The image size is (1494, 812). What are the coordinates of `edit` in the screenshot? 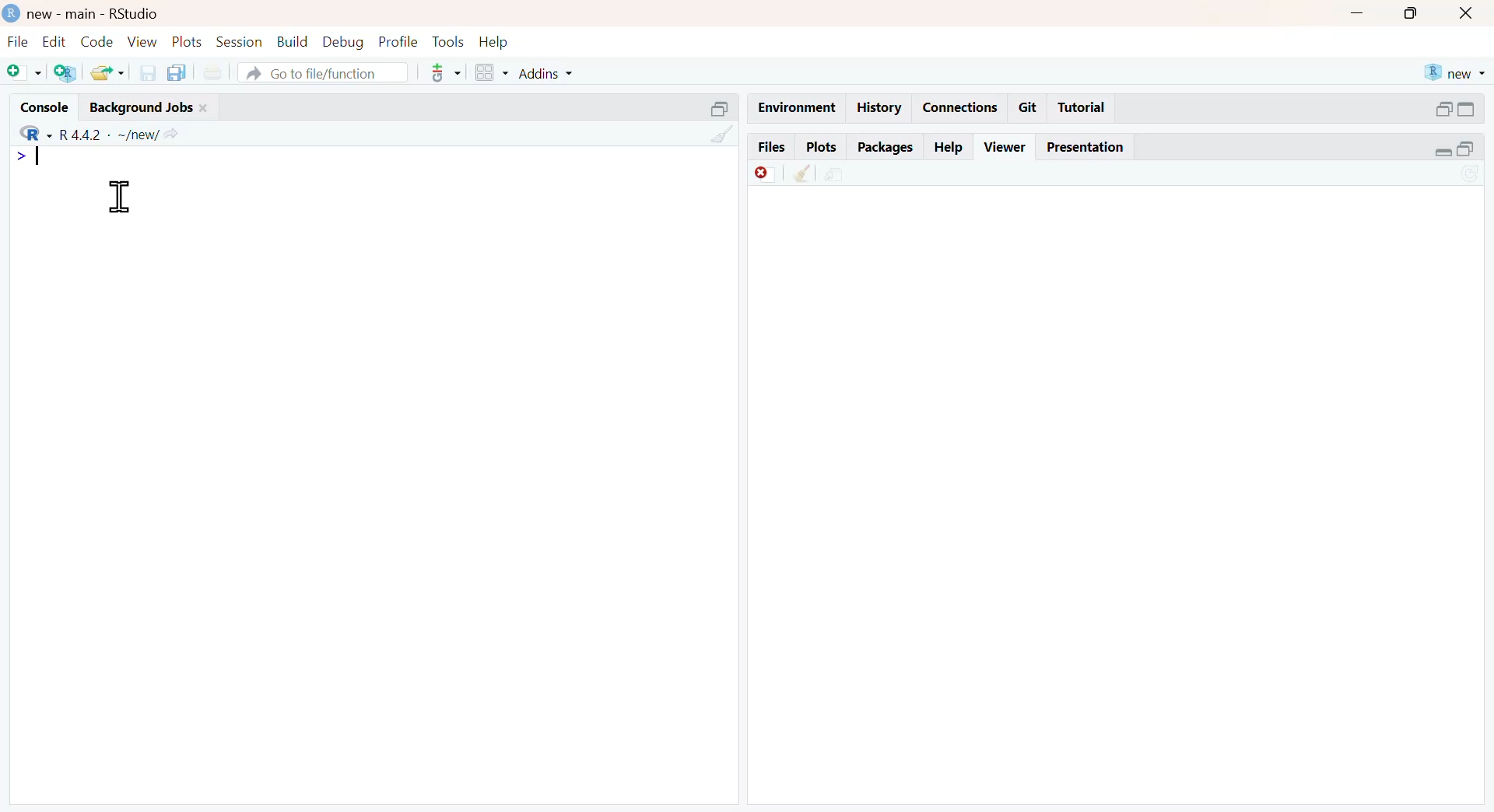 It's located at (54, 40).